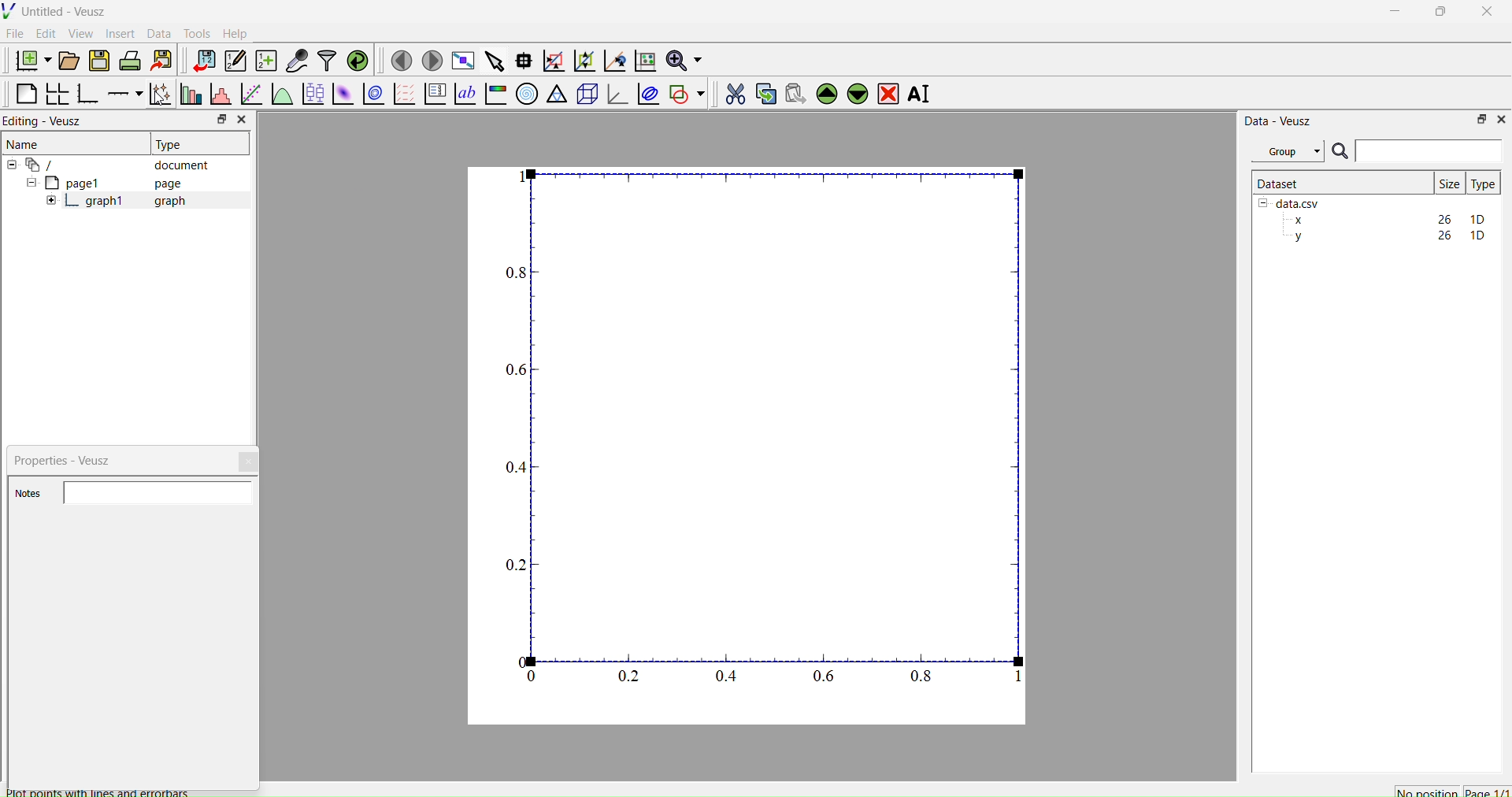 The height and width of the screenshot is (797, 1512). I want to click on Untitled - Veusz, so click(57, 11).